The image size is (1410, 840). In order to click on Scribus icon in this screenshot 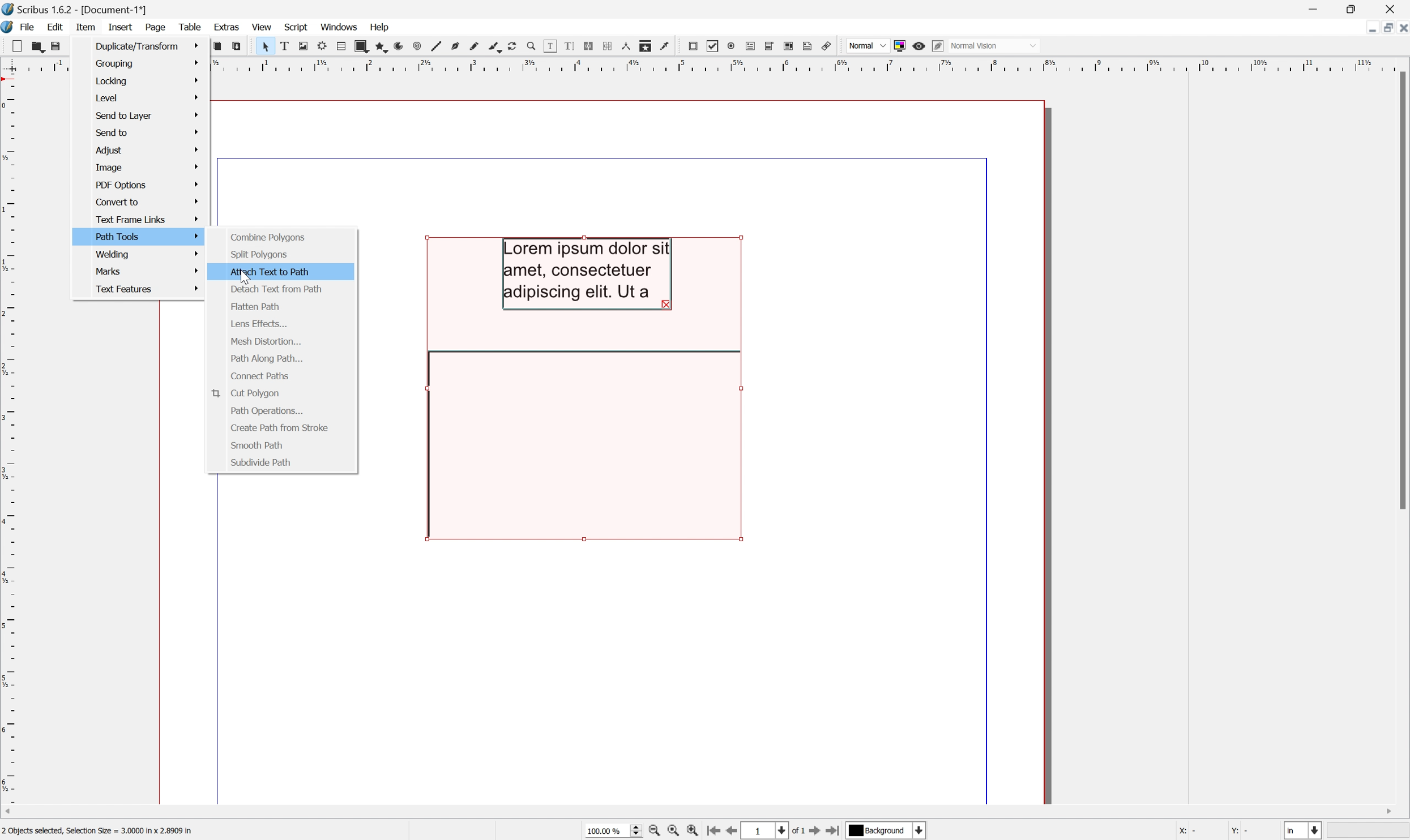, I will do `click(9, 27)`.